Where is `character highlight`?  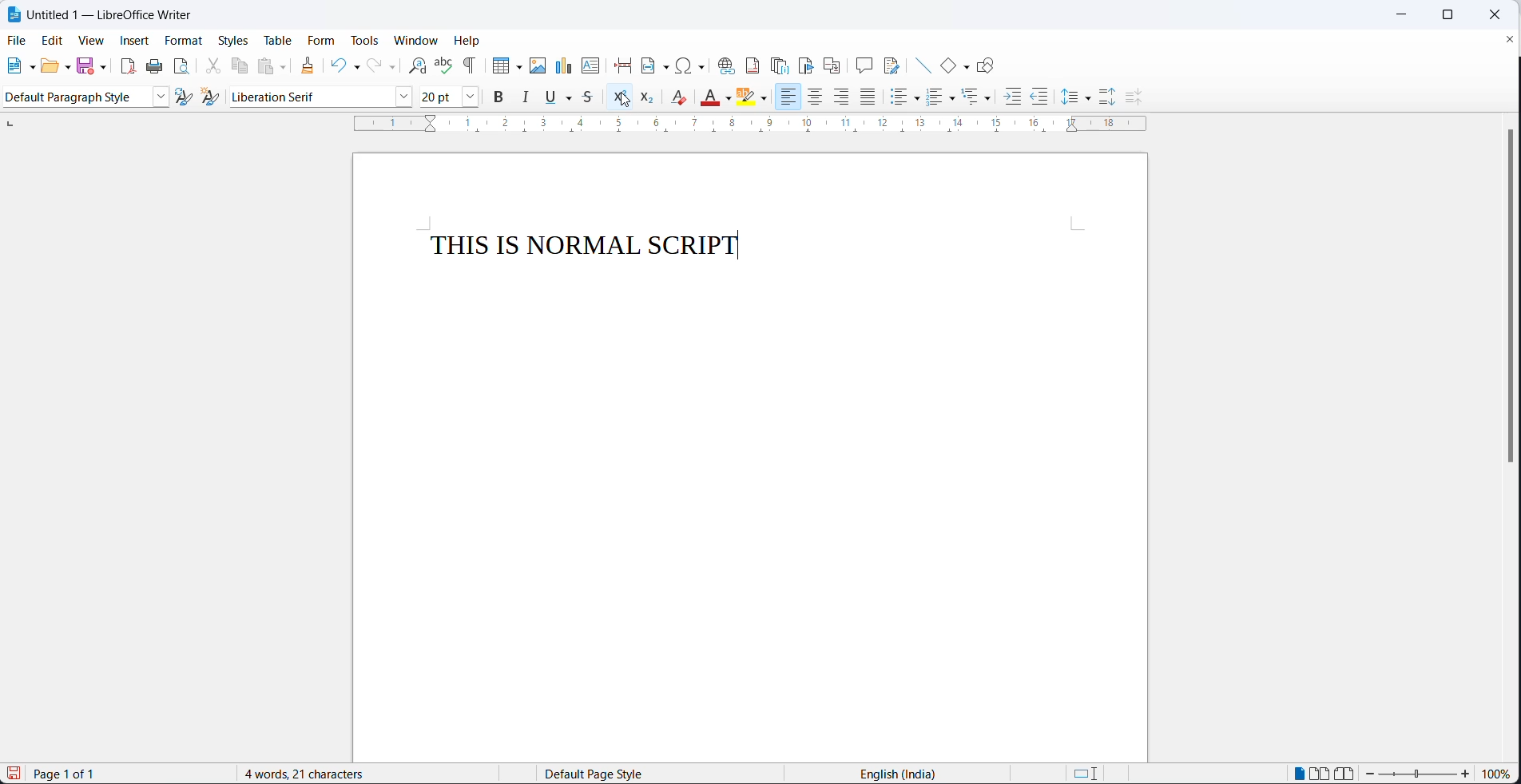
character highlight is located at coordinates (748, 97).